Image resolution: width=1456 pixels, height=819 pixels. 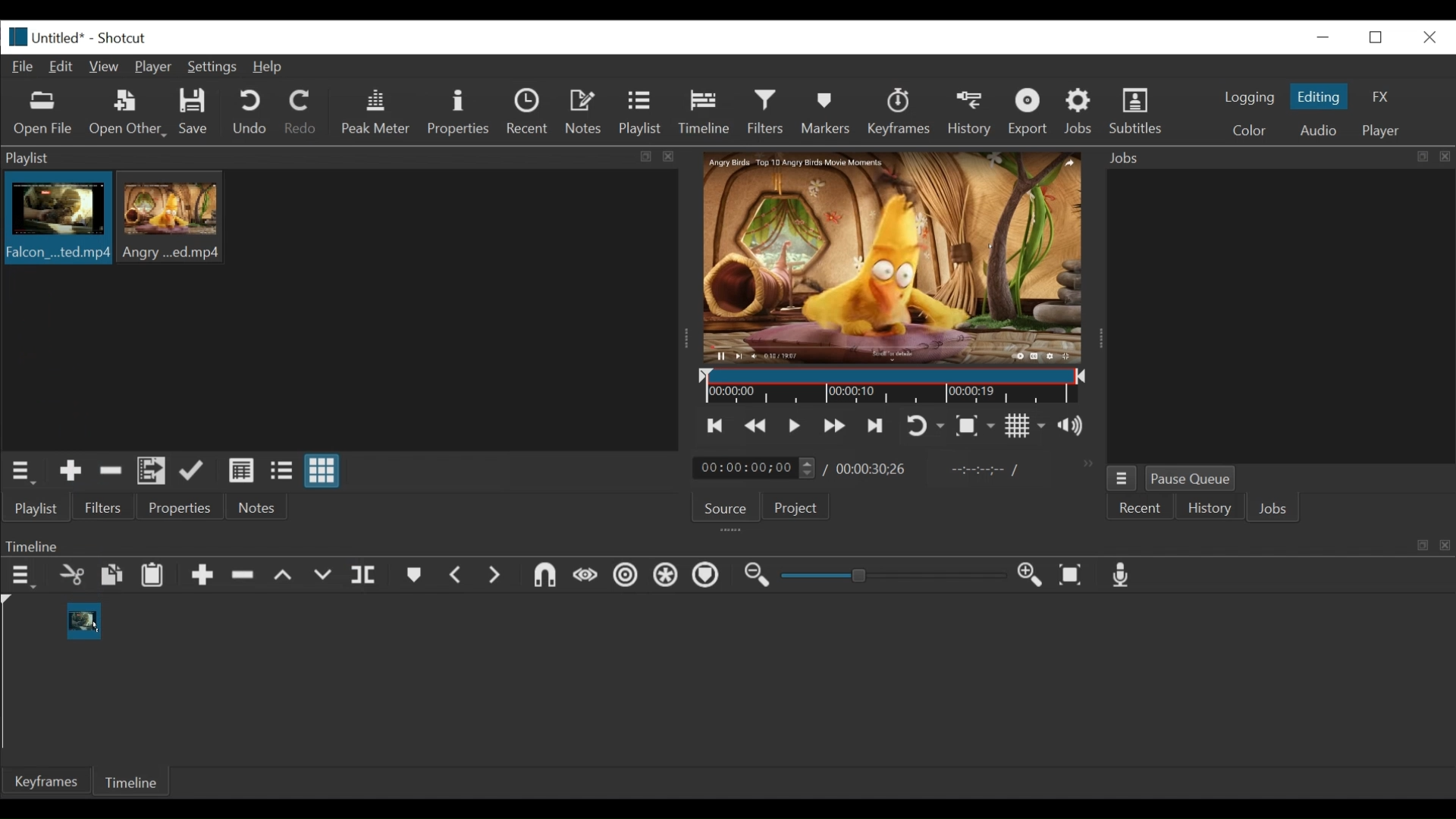 I want to click on Jobs, so click(x=1081, y=111).